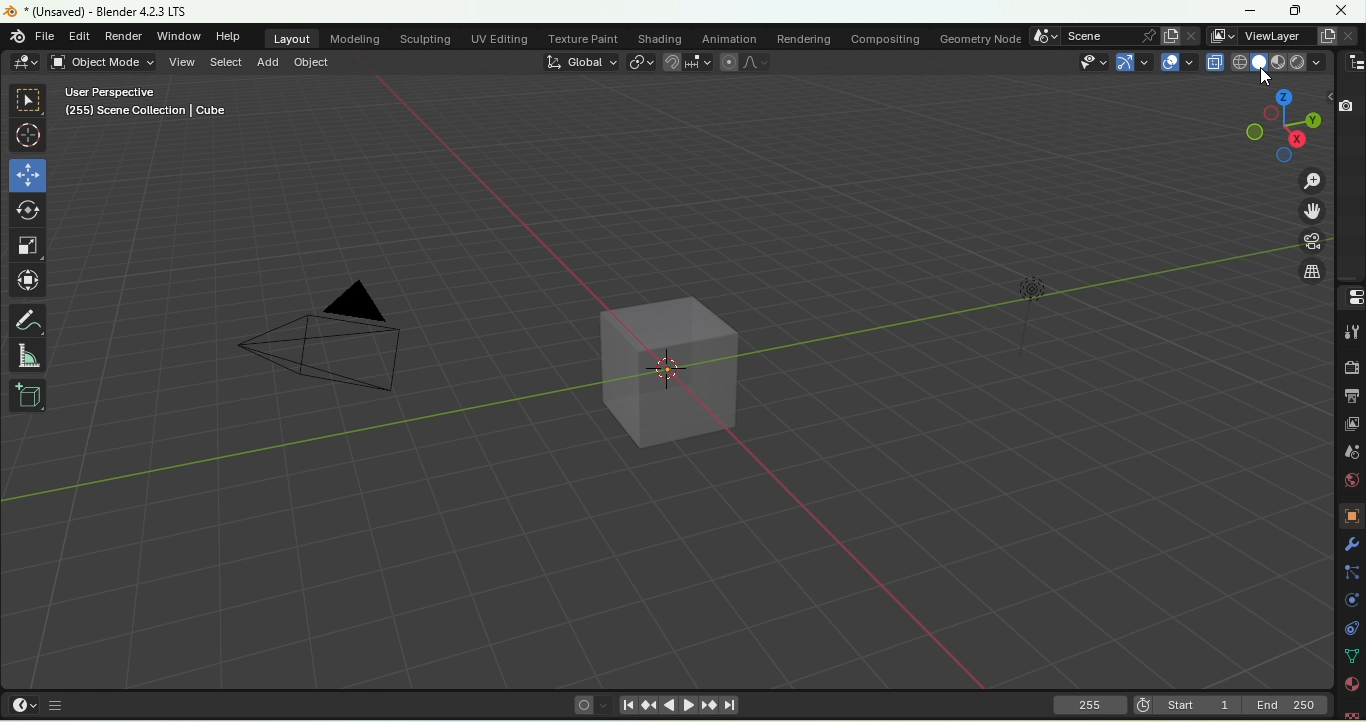 This screenshot has height=722, width=1366. I want to click on Viewport shading: Rendered, so click(1298, 62).